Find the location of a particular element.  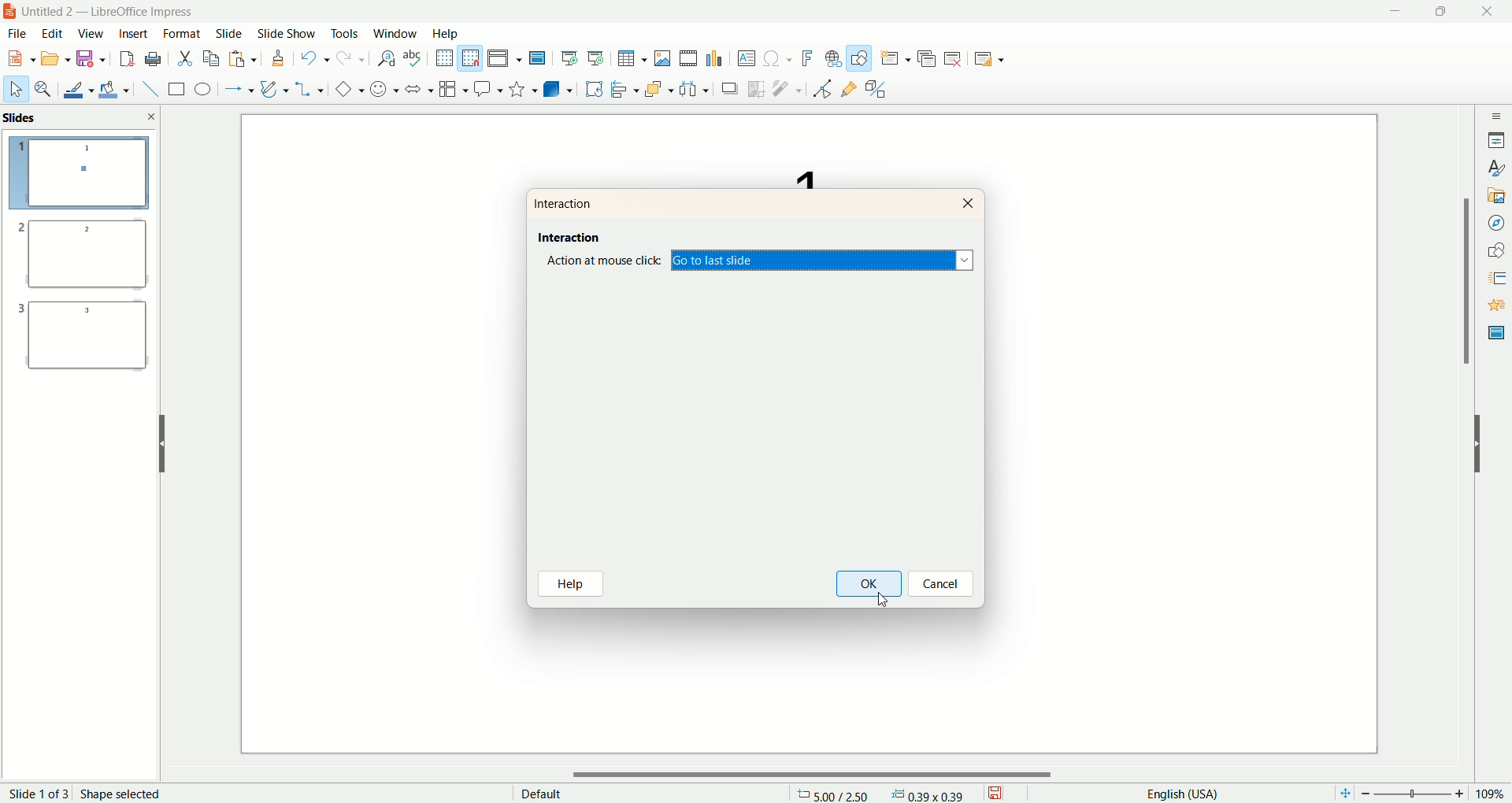

3D objects is located at coordinates (558, 89).